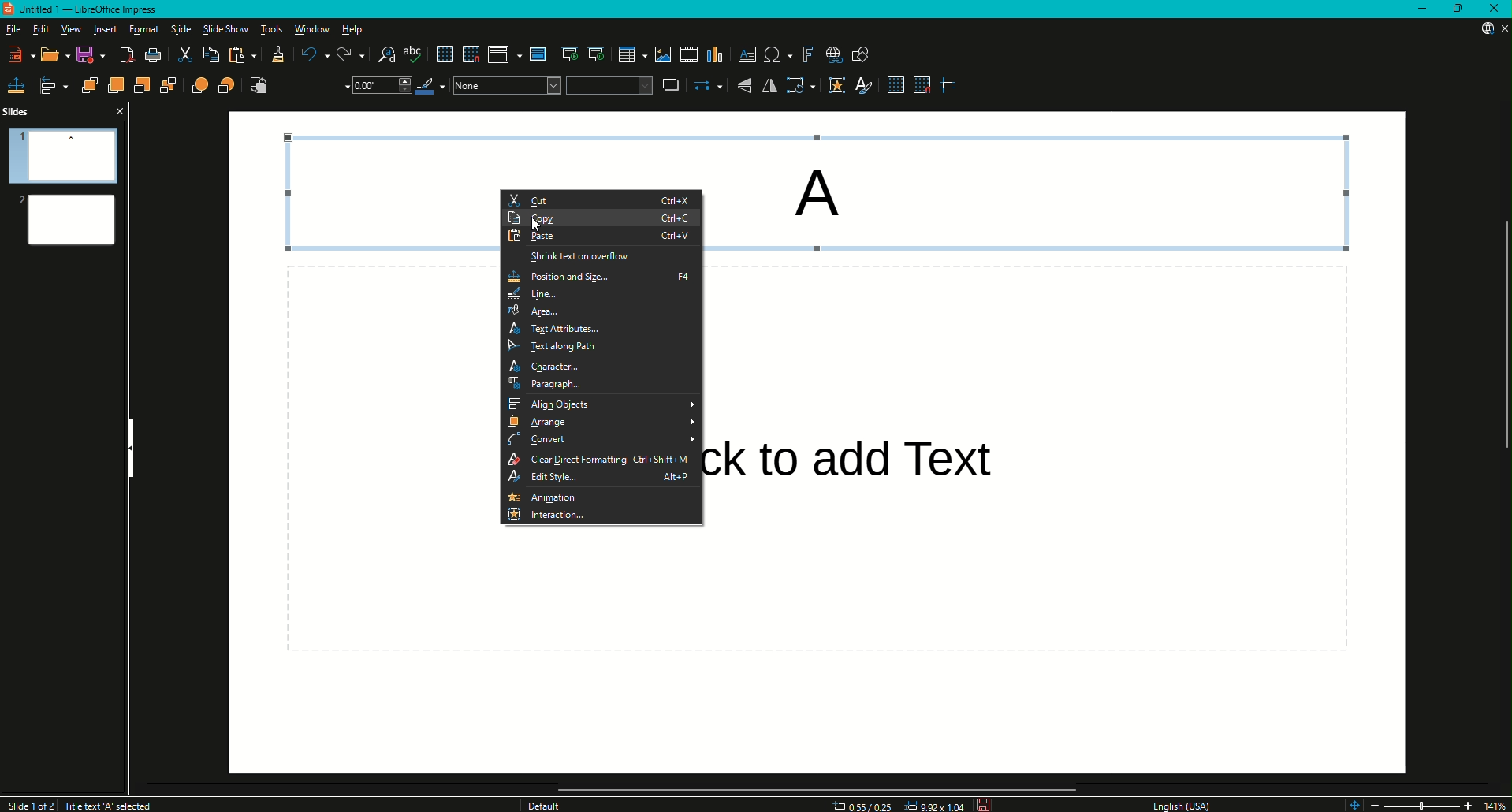  What do you see at coordinates (602, 459) in the screenshot?
I see `Clear Direct Formatting` at bounding box center [602, 459].